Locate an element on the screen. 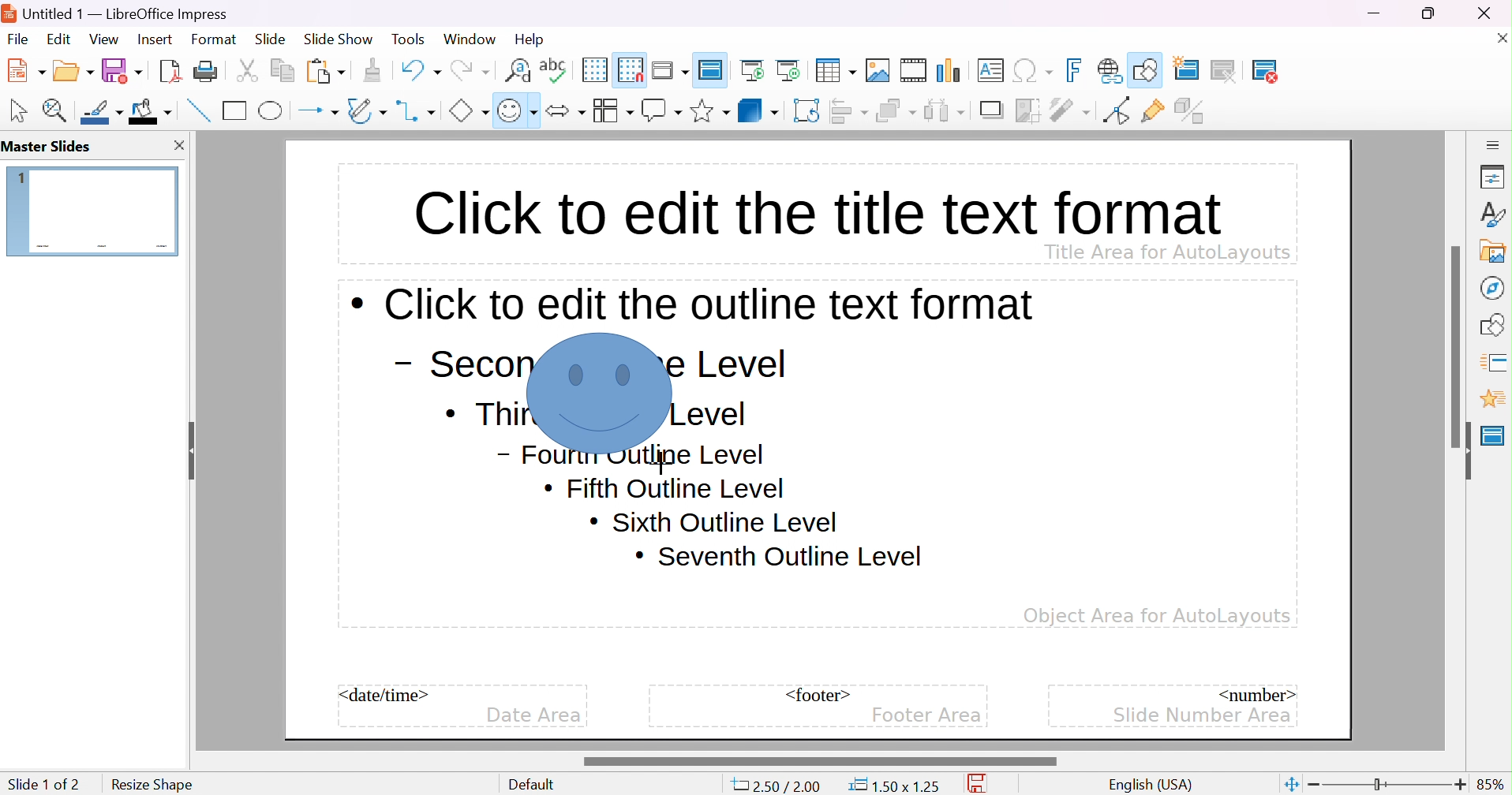 Image resolution: width=1512 pixels, height=795 pixels. new is located at coordinates (28, 69).